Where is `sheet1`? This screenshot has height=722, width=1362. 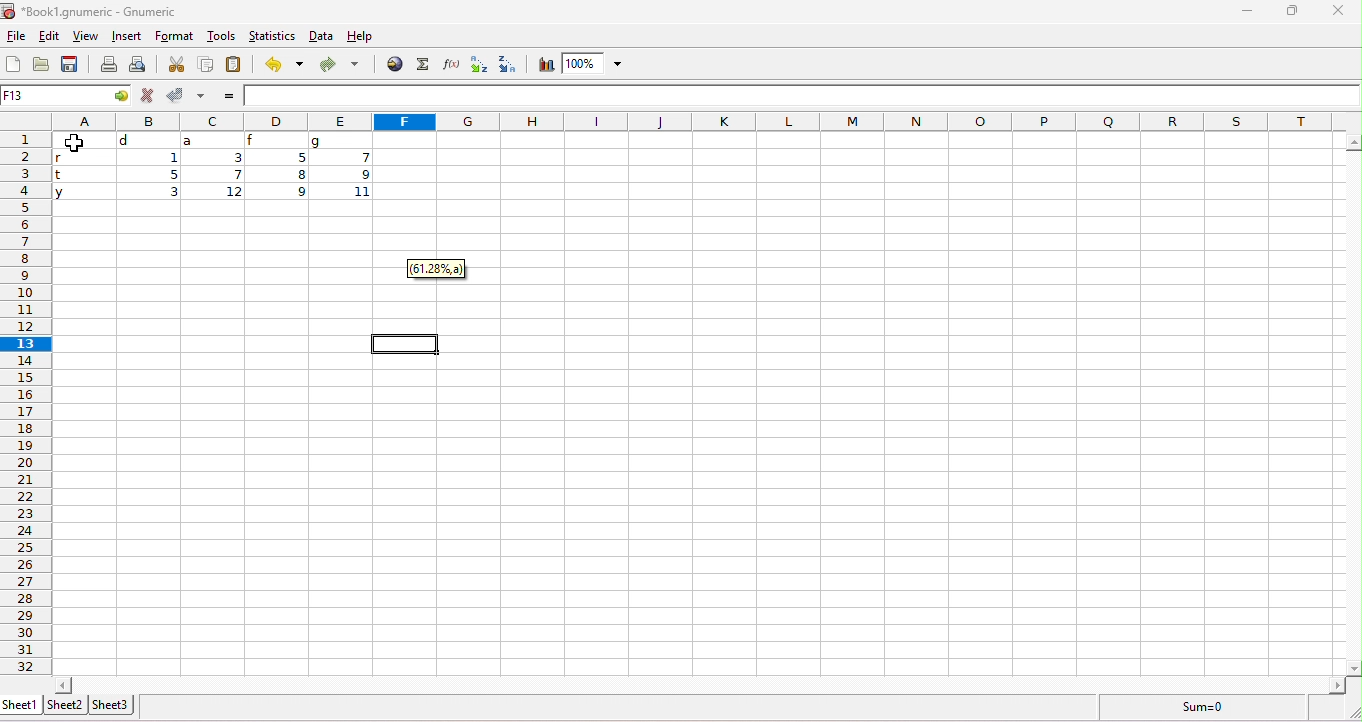 sheet1 is located at coordinates (20, 704).